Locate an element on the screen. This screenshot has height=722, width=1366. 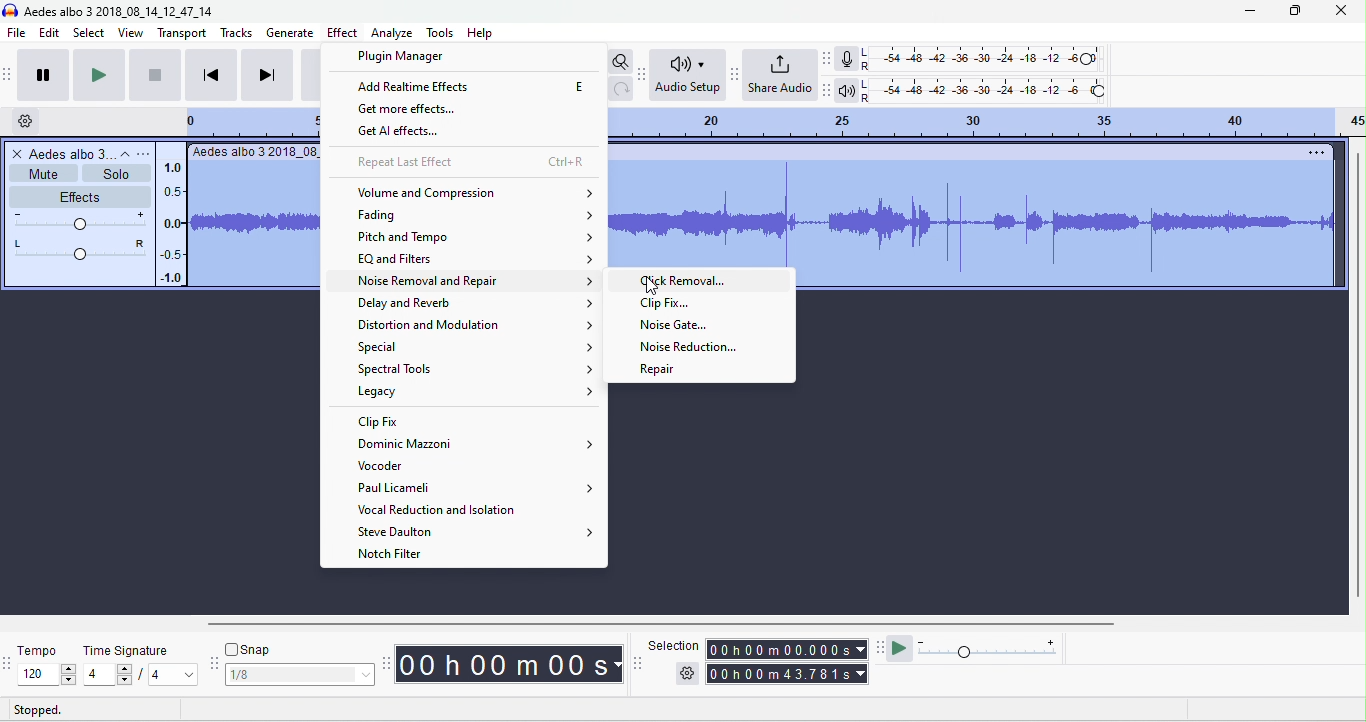
analyze is located at coordinates (394, 33).